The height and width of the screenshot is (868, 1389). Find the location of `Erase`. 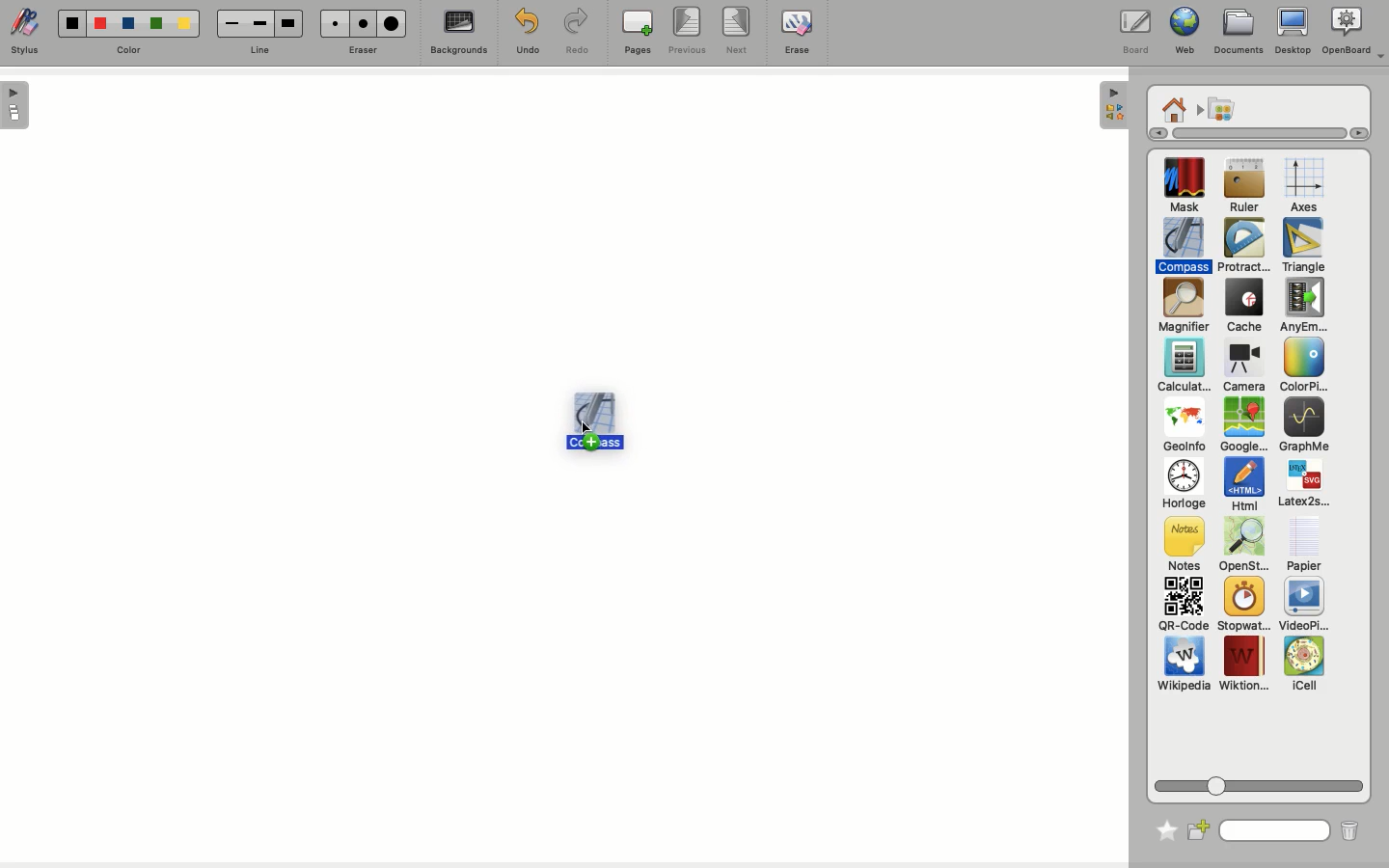

Erase is located at coordinates (796, 31).